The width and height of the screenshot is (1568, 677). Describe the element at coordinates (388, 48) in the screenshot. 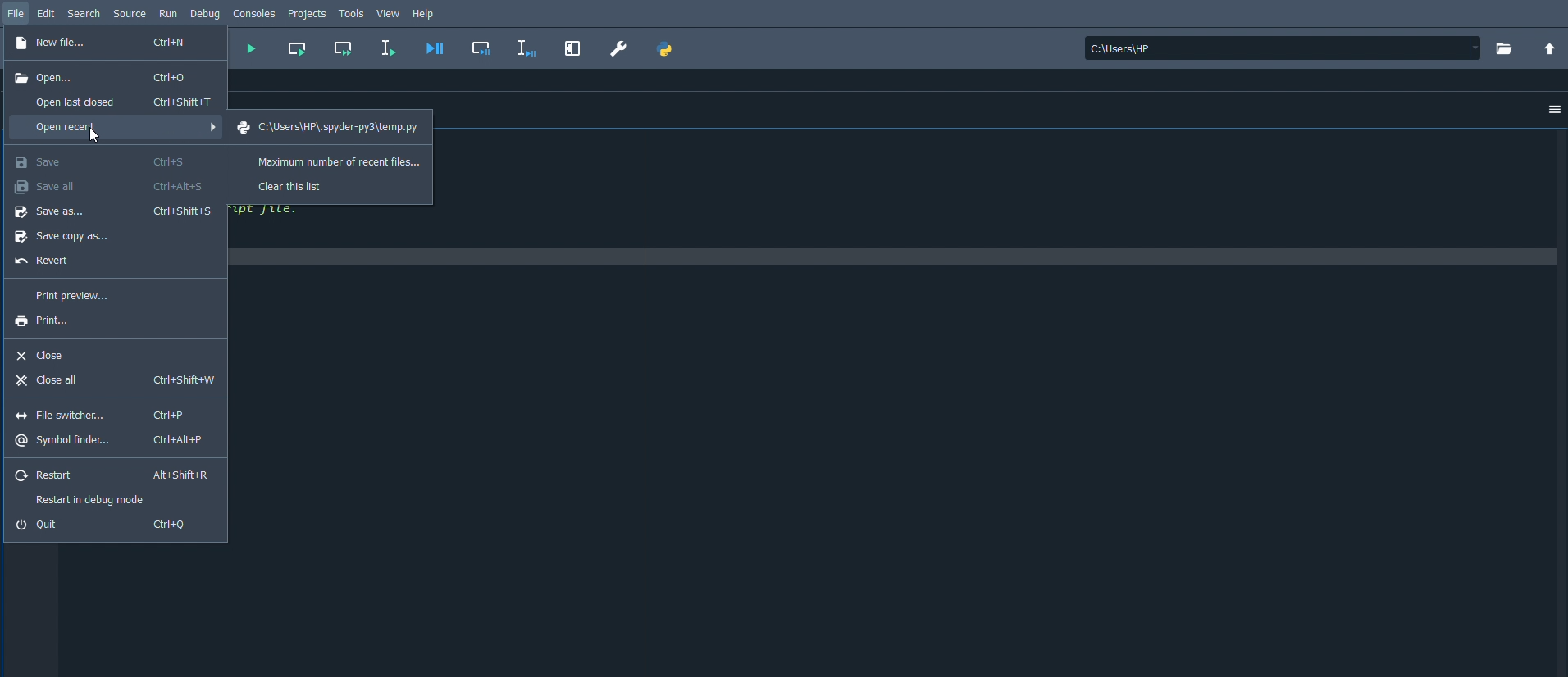

I see `Run selection or current line` at that location.